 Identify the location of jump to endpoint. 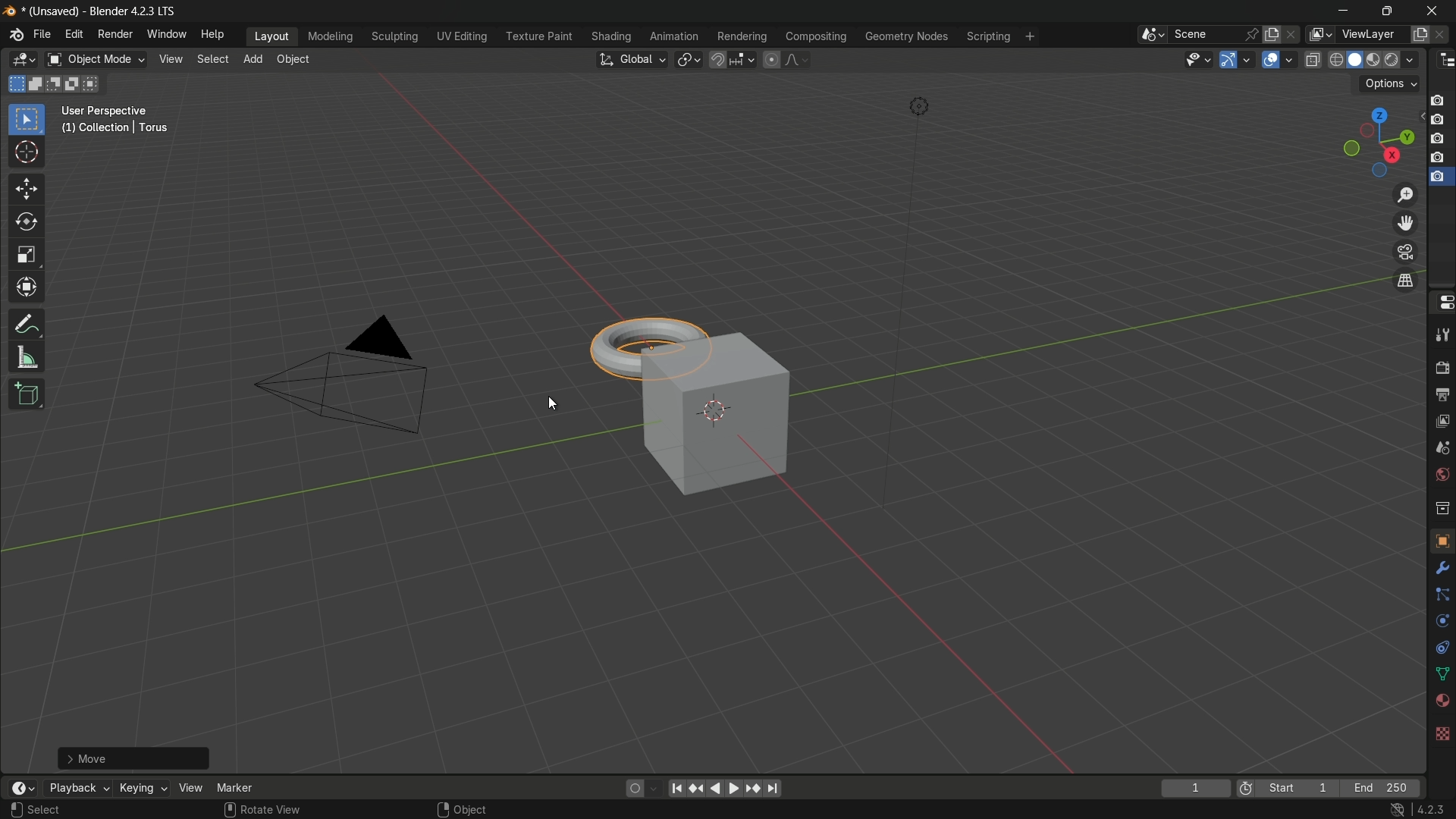
(774, 789).